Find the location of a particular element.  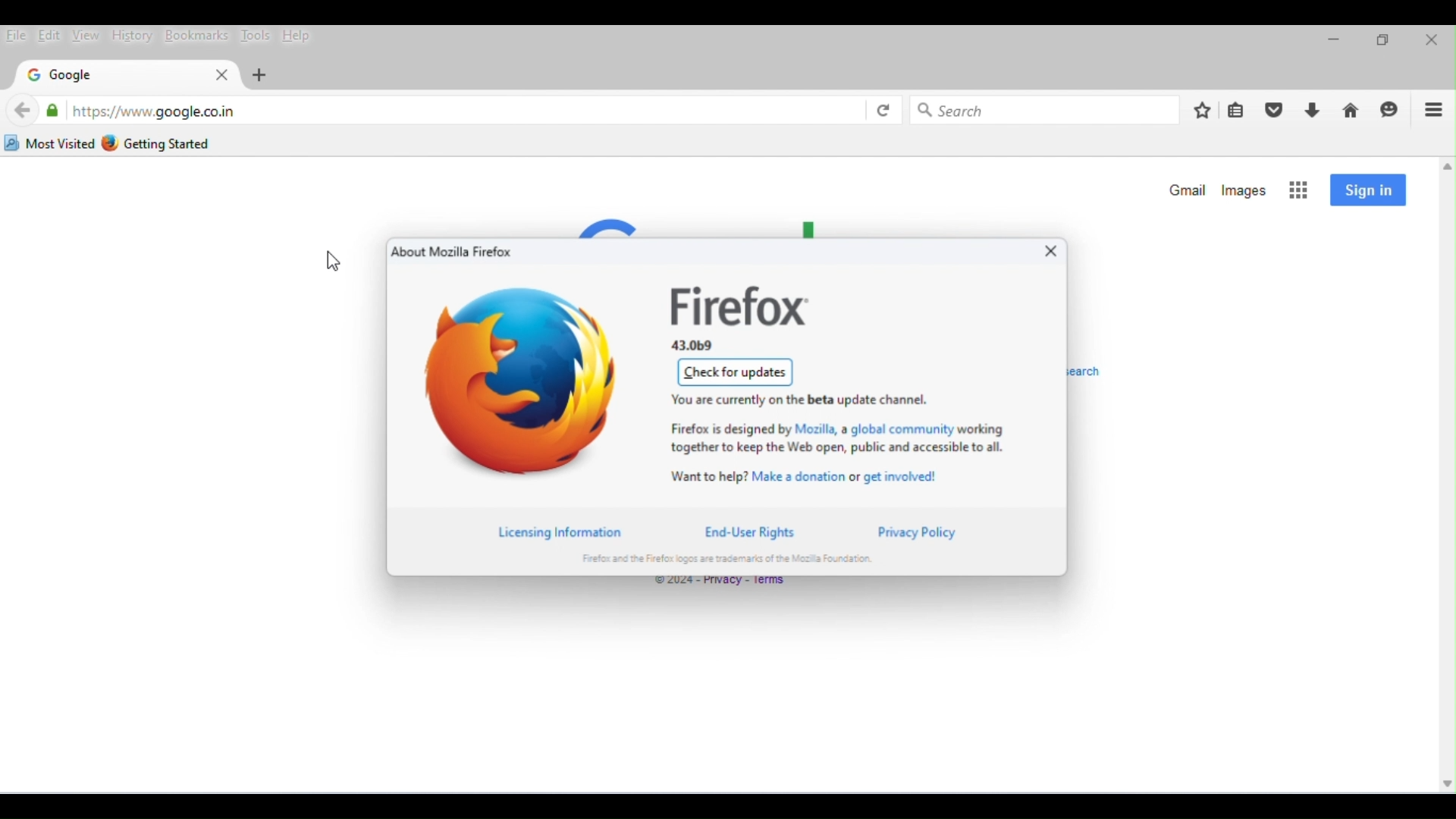

getting started is located at coordinates (159, 143).